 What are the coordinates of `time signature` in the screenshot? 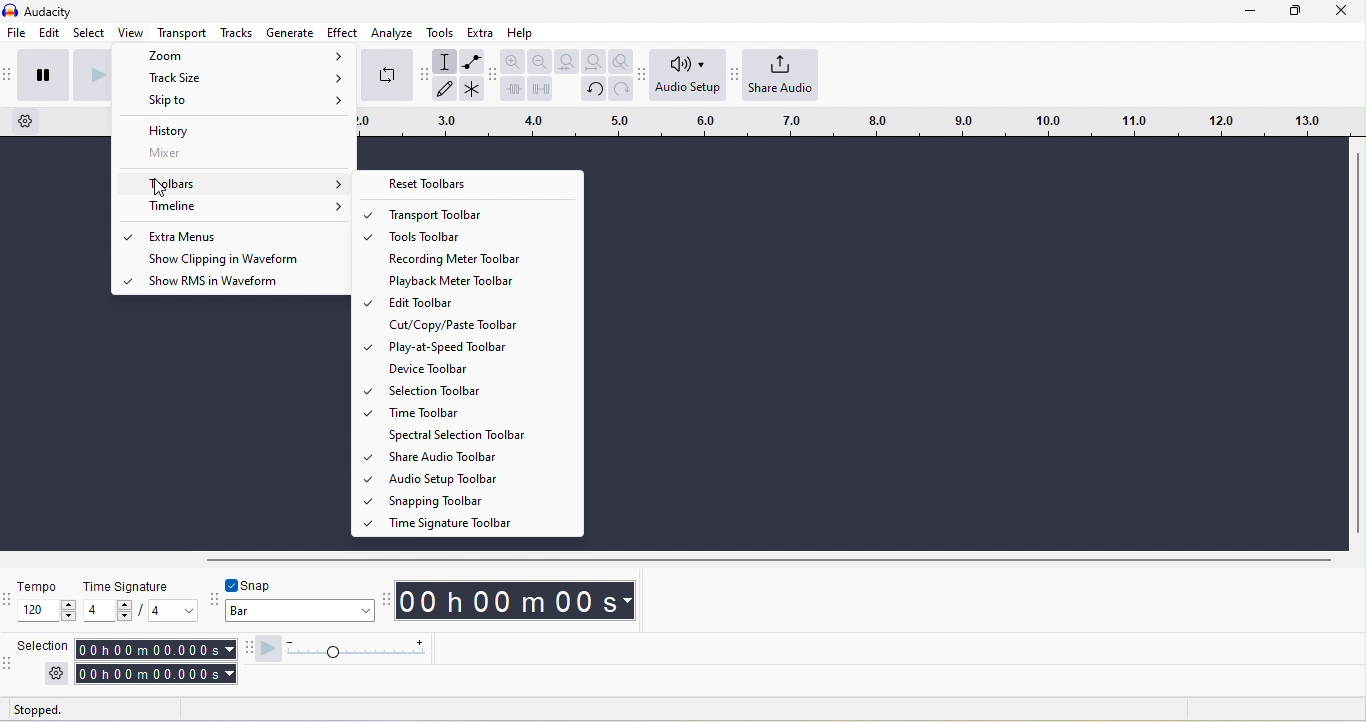 It's located at (128, 587).